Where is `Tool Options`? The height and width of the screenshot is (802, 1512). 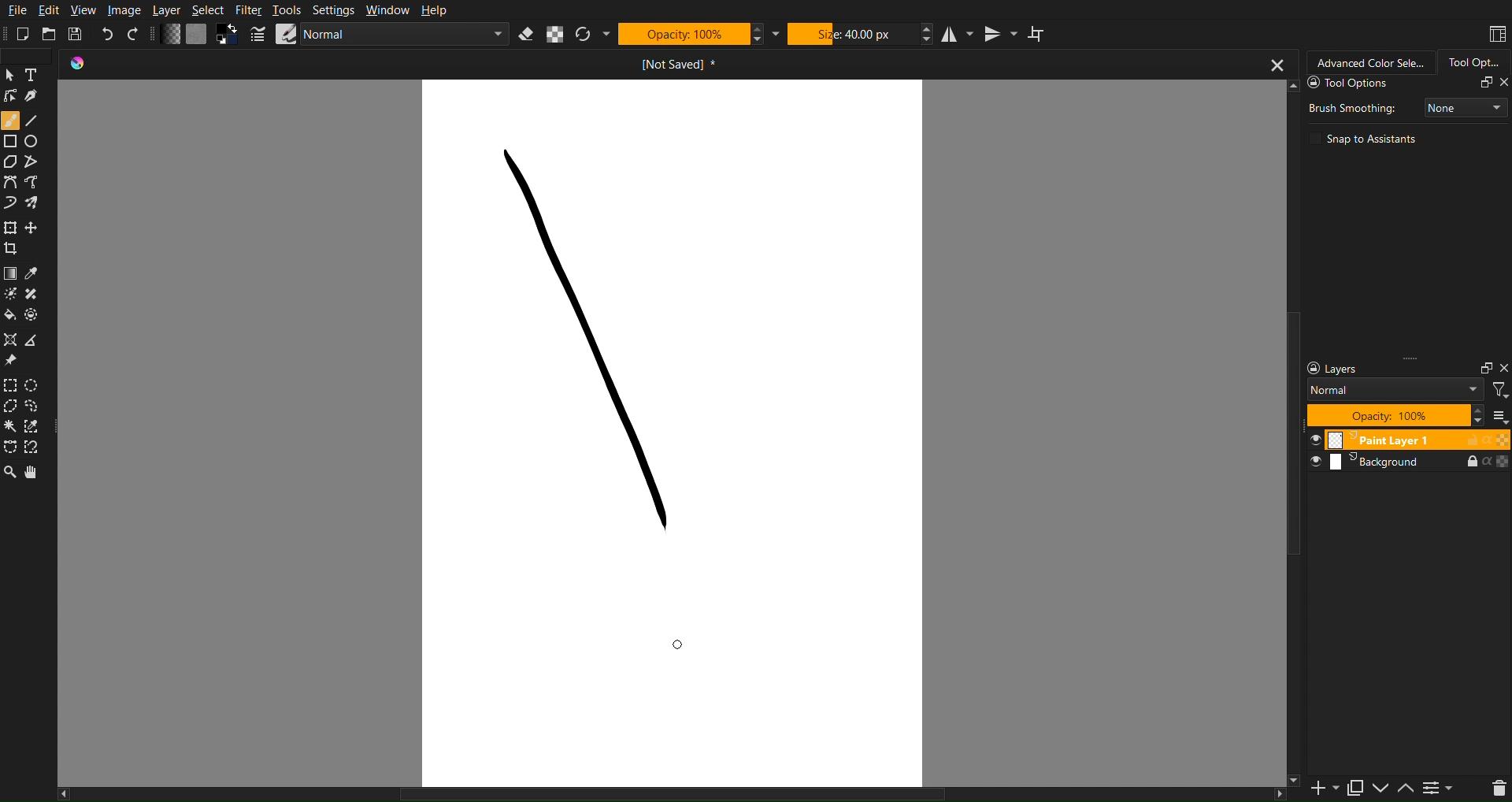
Tool Options is located at coordinates (1473, 62).